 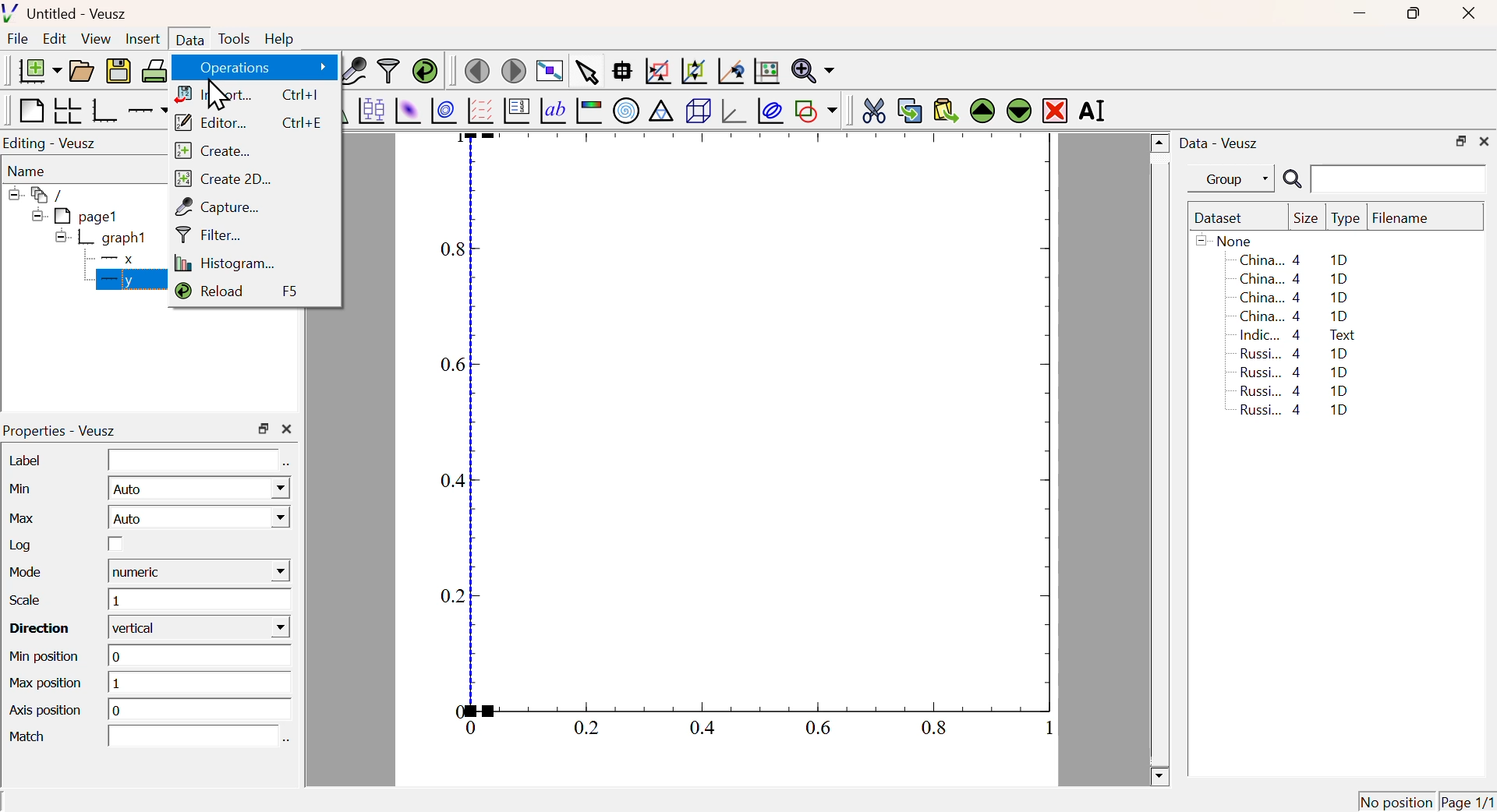 I want to click on X axis, so click(x=123, y=259).